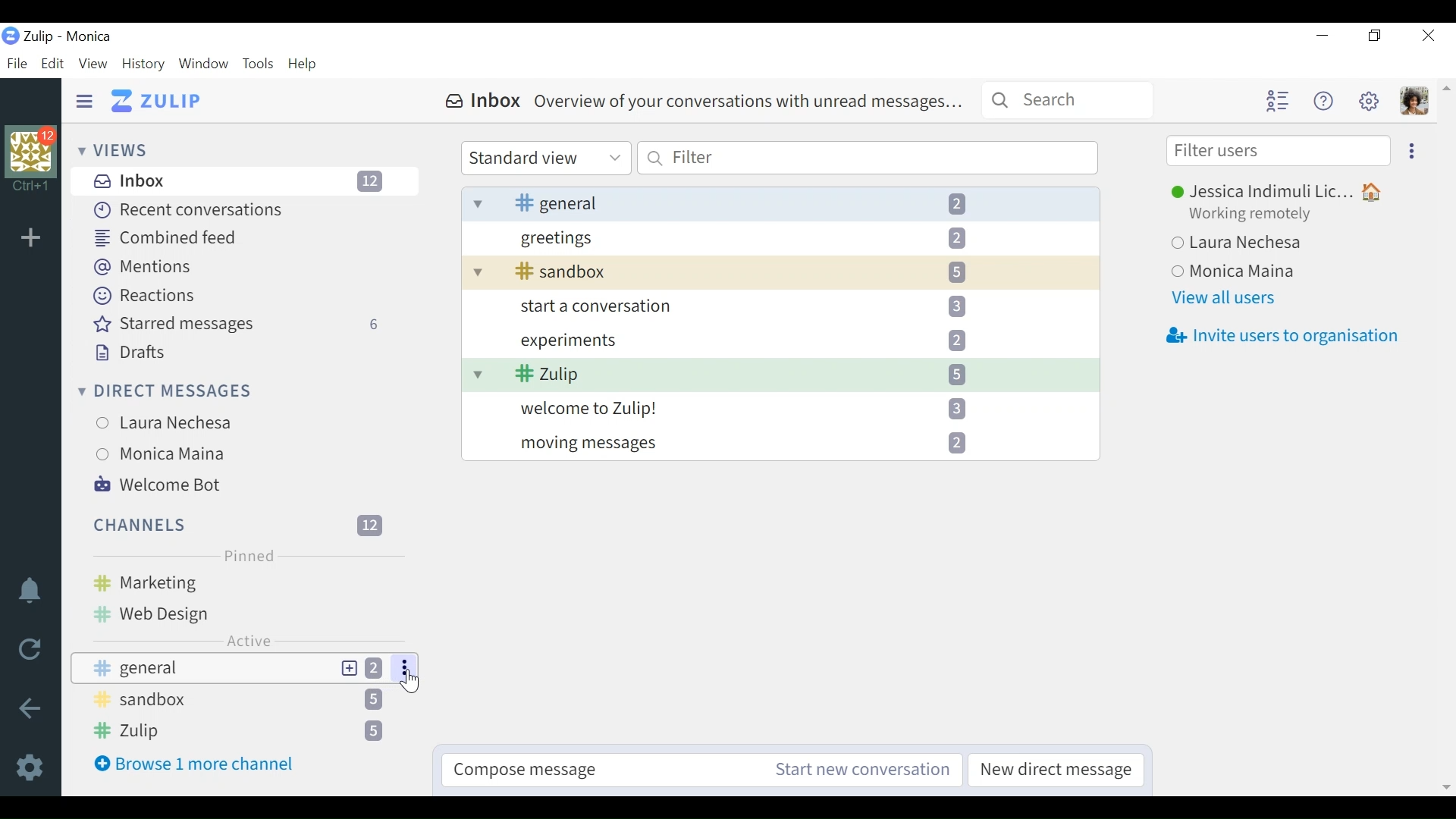  What do you see at coordinates (1412, 149) in the screenshot?
I see `Ellipse` at bounding box center [1412, 149].